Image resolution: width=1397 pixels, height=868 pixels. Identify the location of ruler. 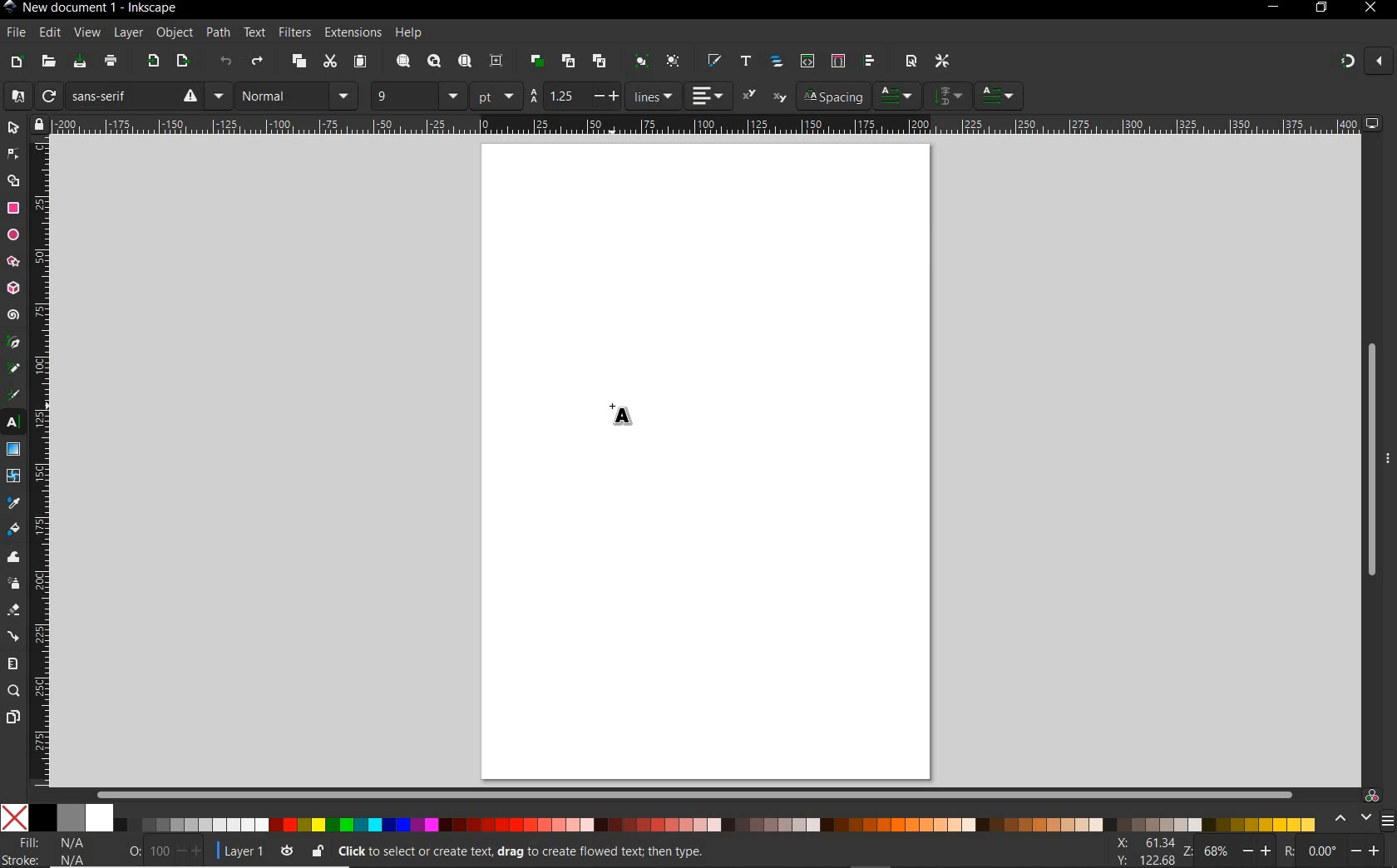
(705, 124).